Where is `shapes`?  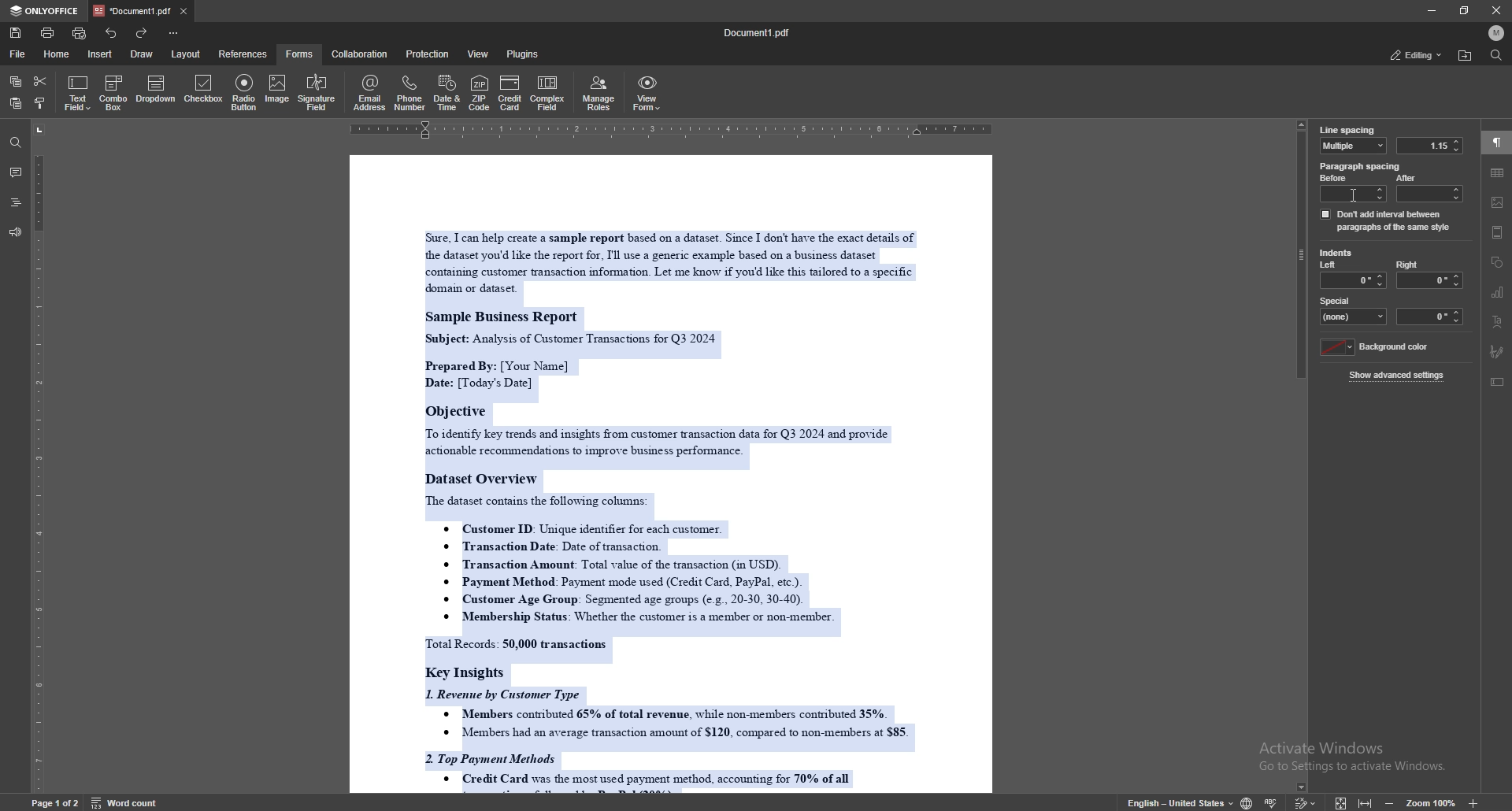 shapes is located at coordinates (1498, 262).